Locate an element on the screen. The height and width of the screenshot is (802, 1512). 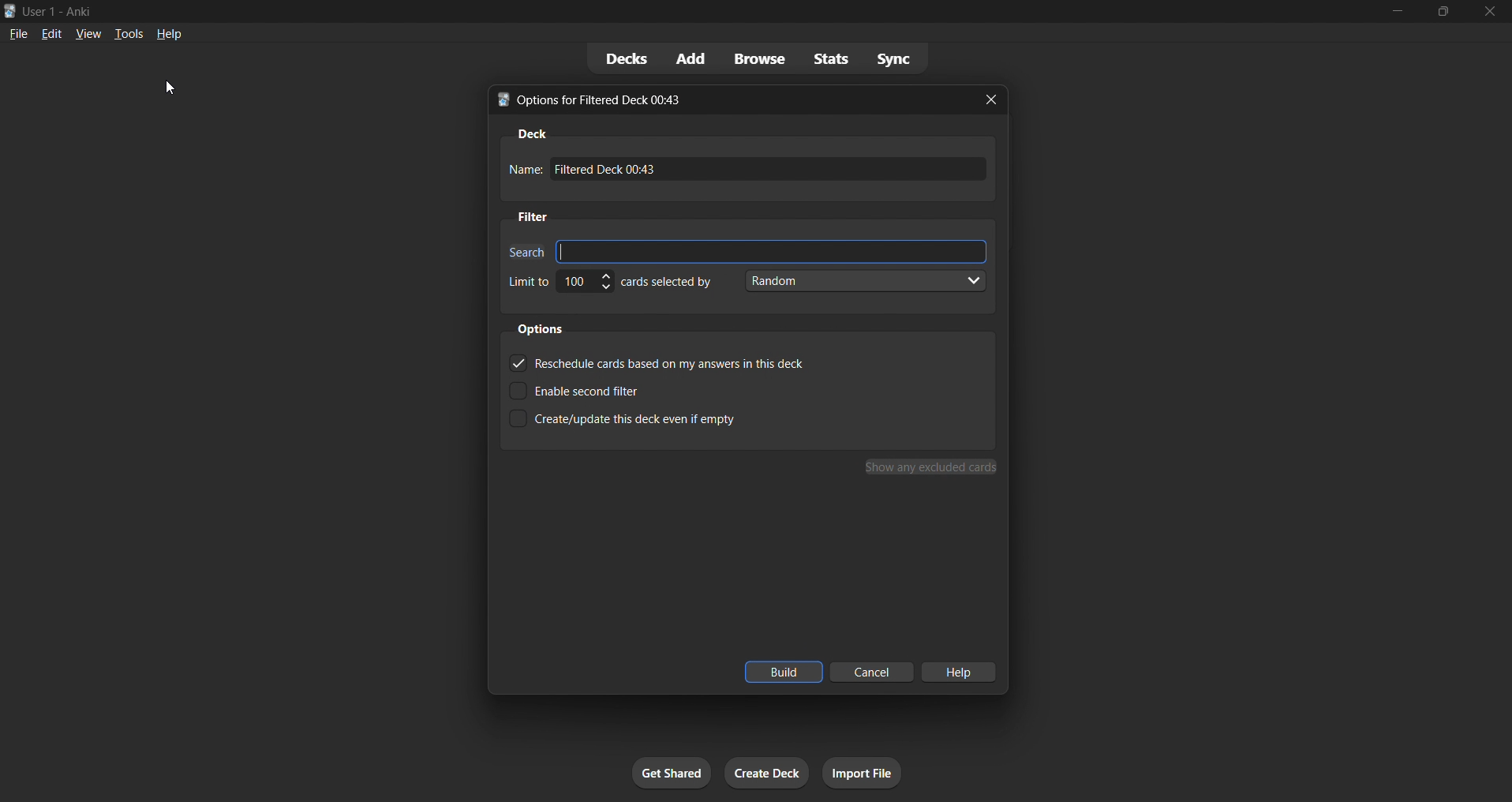
edit is located at coordinates (51, 32).